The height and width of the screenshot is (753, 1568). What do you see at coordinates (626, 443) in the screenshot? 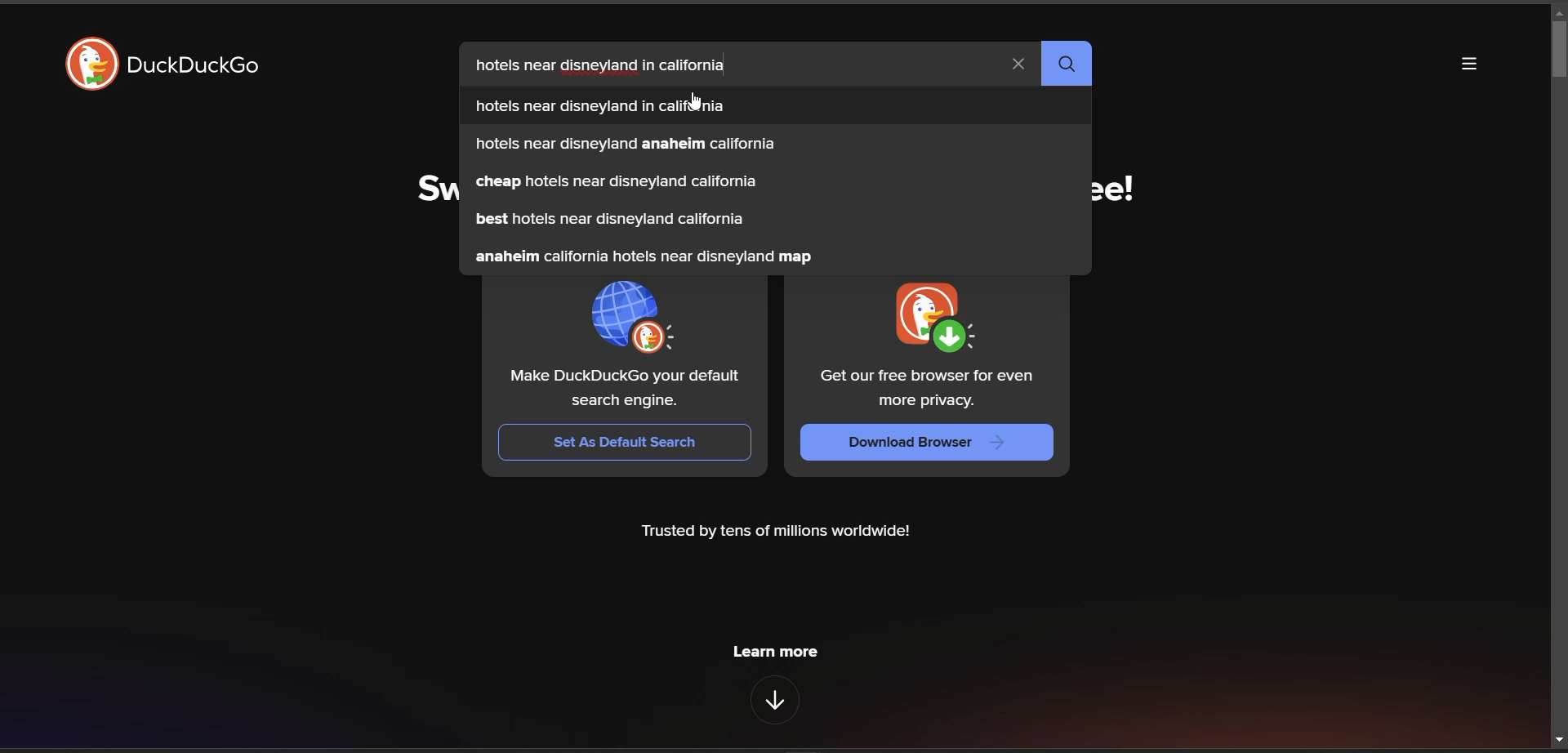
I see `Set As Default Switch` at bounding box center [626, 443].